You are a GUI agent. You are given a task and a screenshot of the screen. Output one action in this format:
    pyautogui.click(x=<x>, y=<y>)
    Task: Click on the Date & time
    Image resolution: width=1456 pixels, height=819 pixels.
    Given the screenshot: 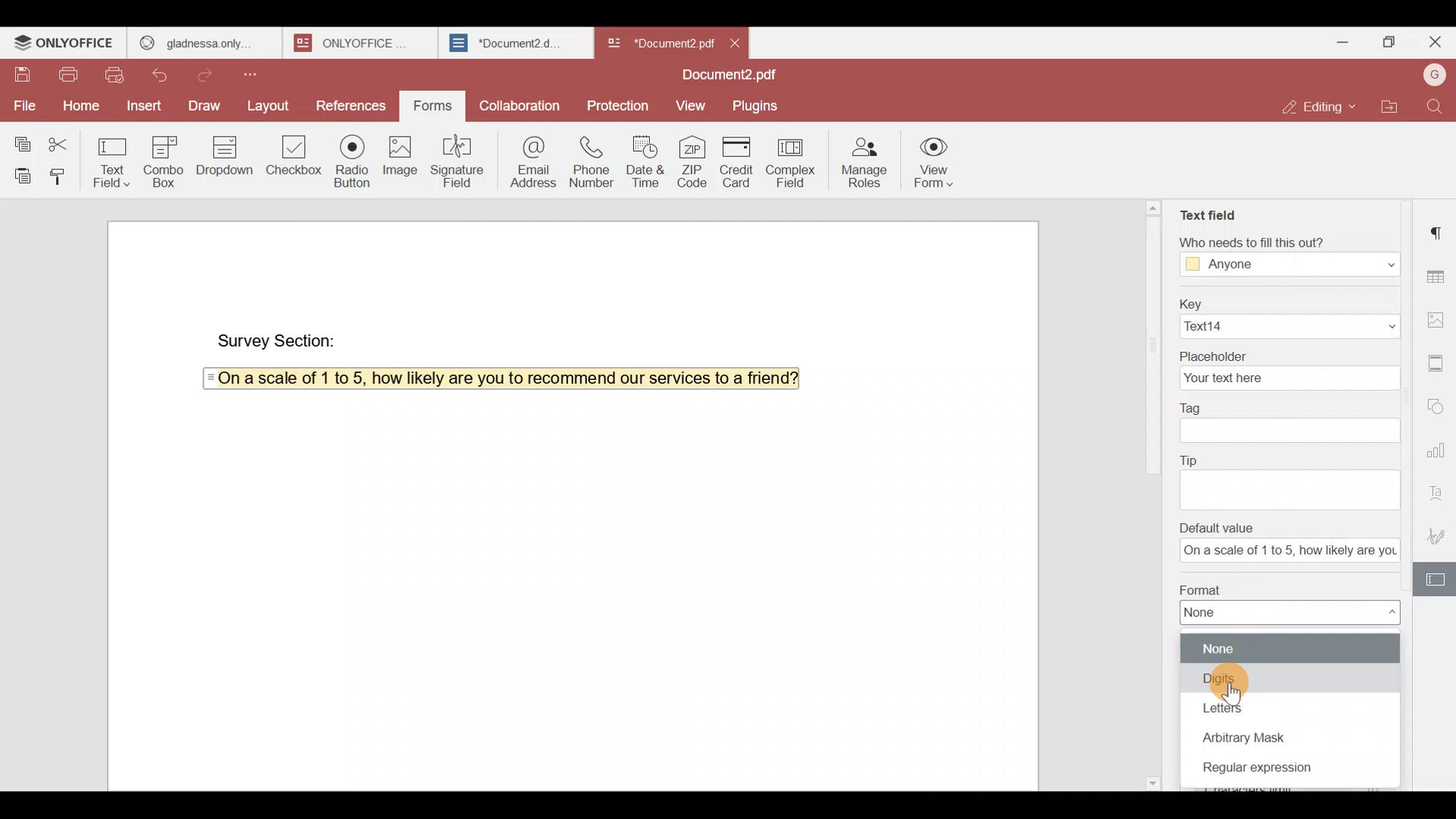 What is the action you would take?
    pyautogui.click(x=645, y=161)
    